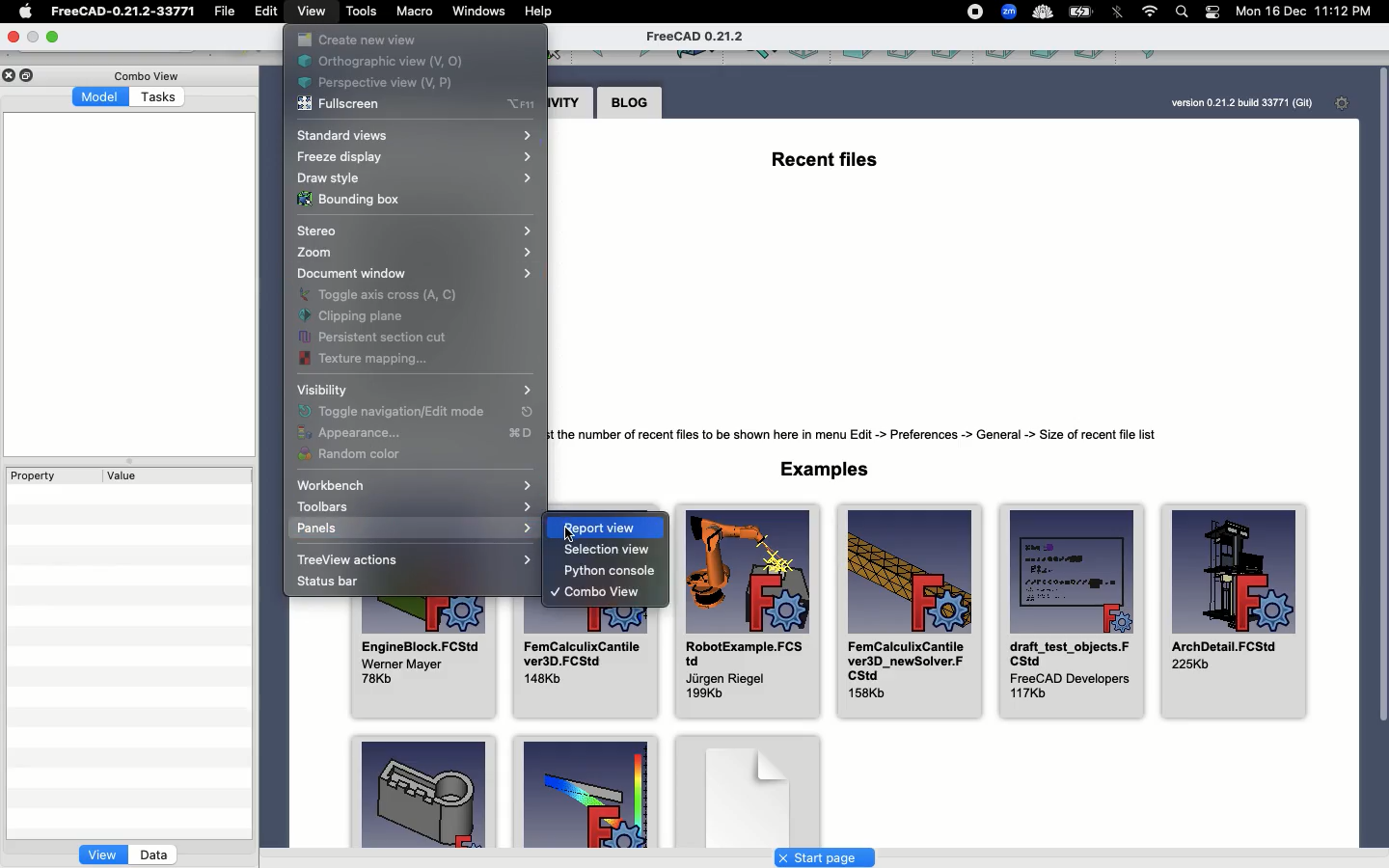 The width and height of the screenshot is (1389, 868). What do you see at coordinates (415, 156) in the screenshot?
I see `Freeze display` at bounding box center [415, 156].